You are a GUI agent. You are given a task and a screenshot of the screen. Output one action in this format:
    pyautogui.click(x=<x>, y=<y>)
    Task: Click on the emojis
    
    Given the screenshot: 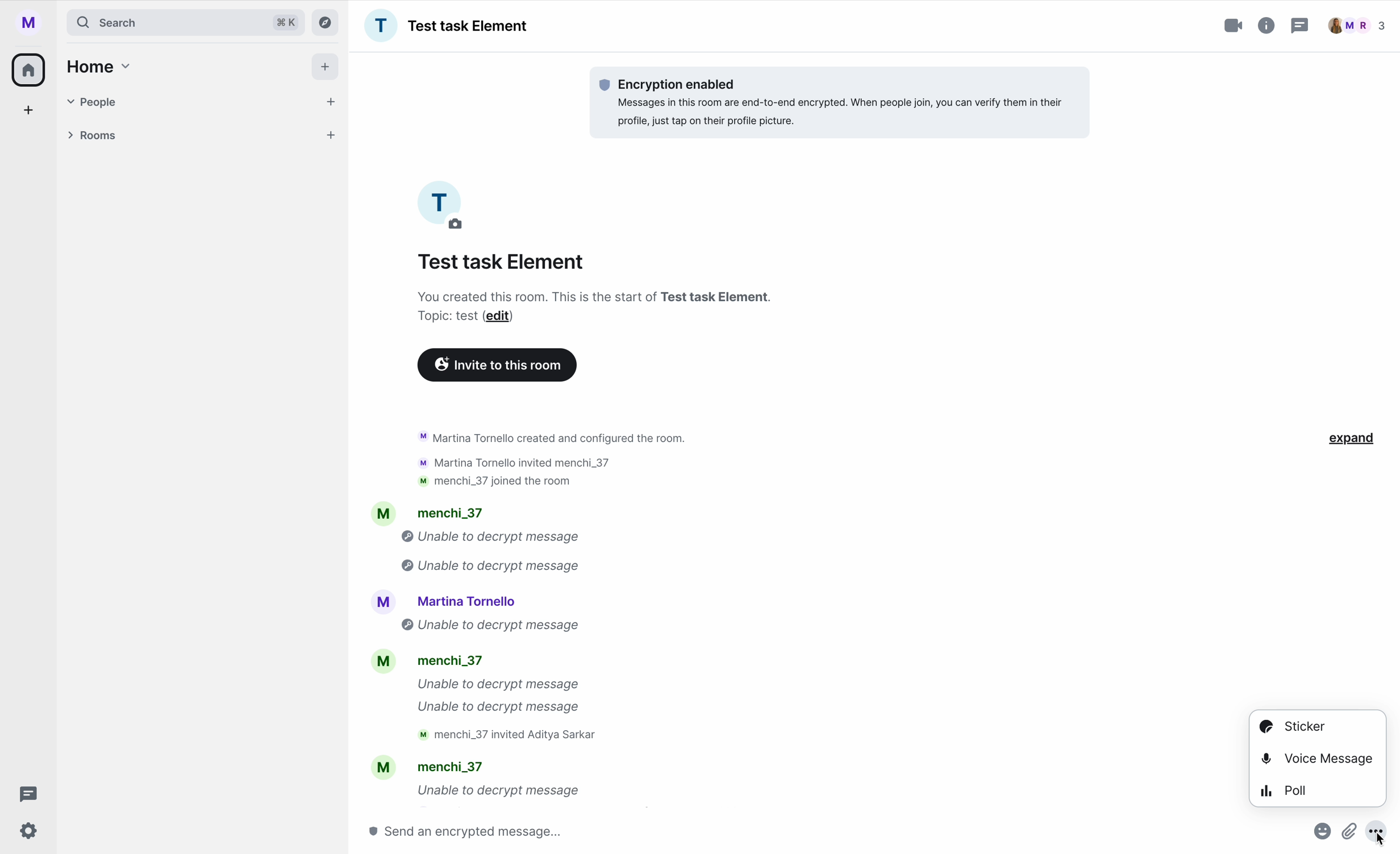 What is the action you would take?
    pyautogui.click(x=1319, y=836)
    